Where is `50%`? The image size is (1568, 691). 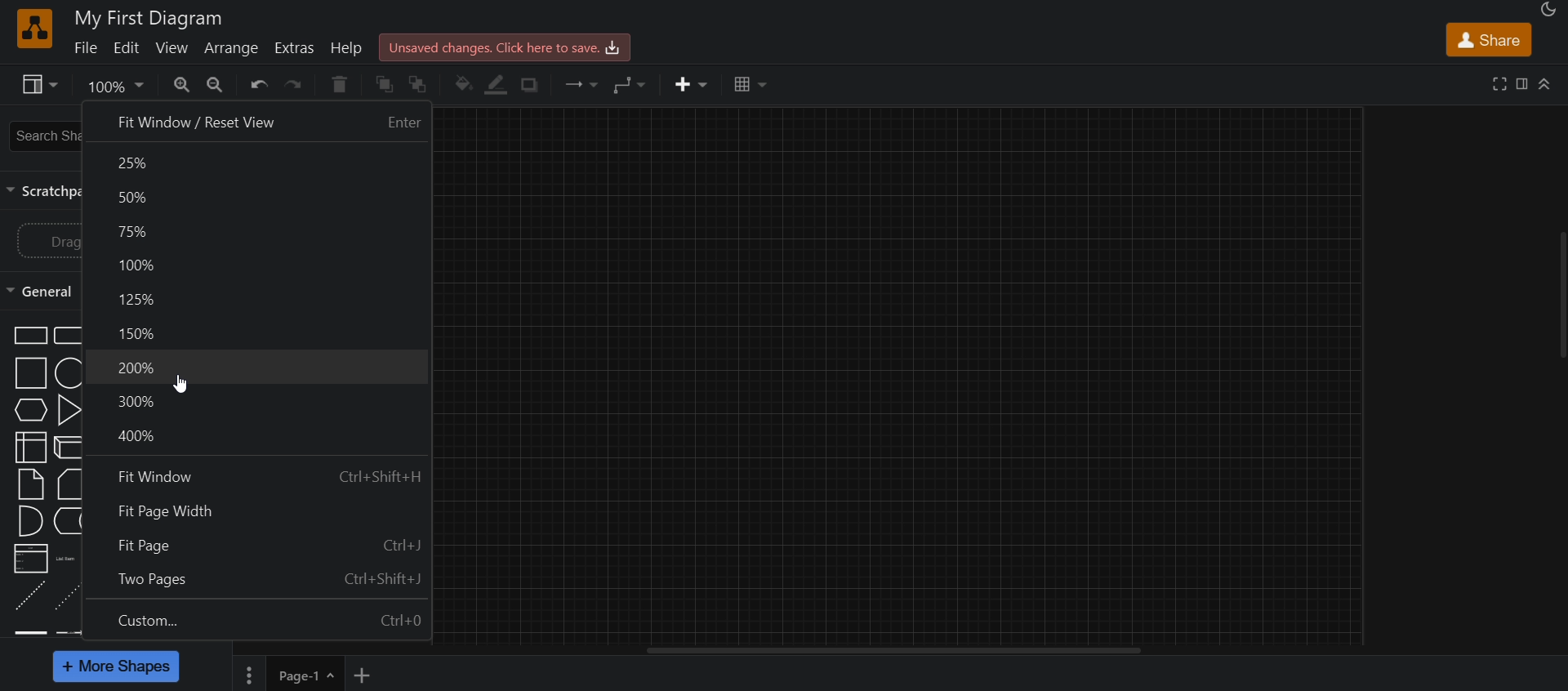 50% is located at coordinates (261, 202).